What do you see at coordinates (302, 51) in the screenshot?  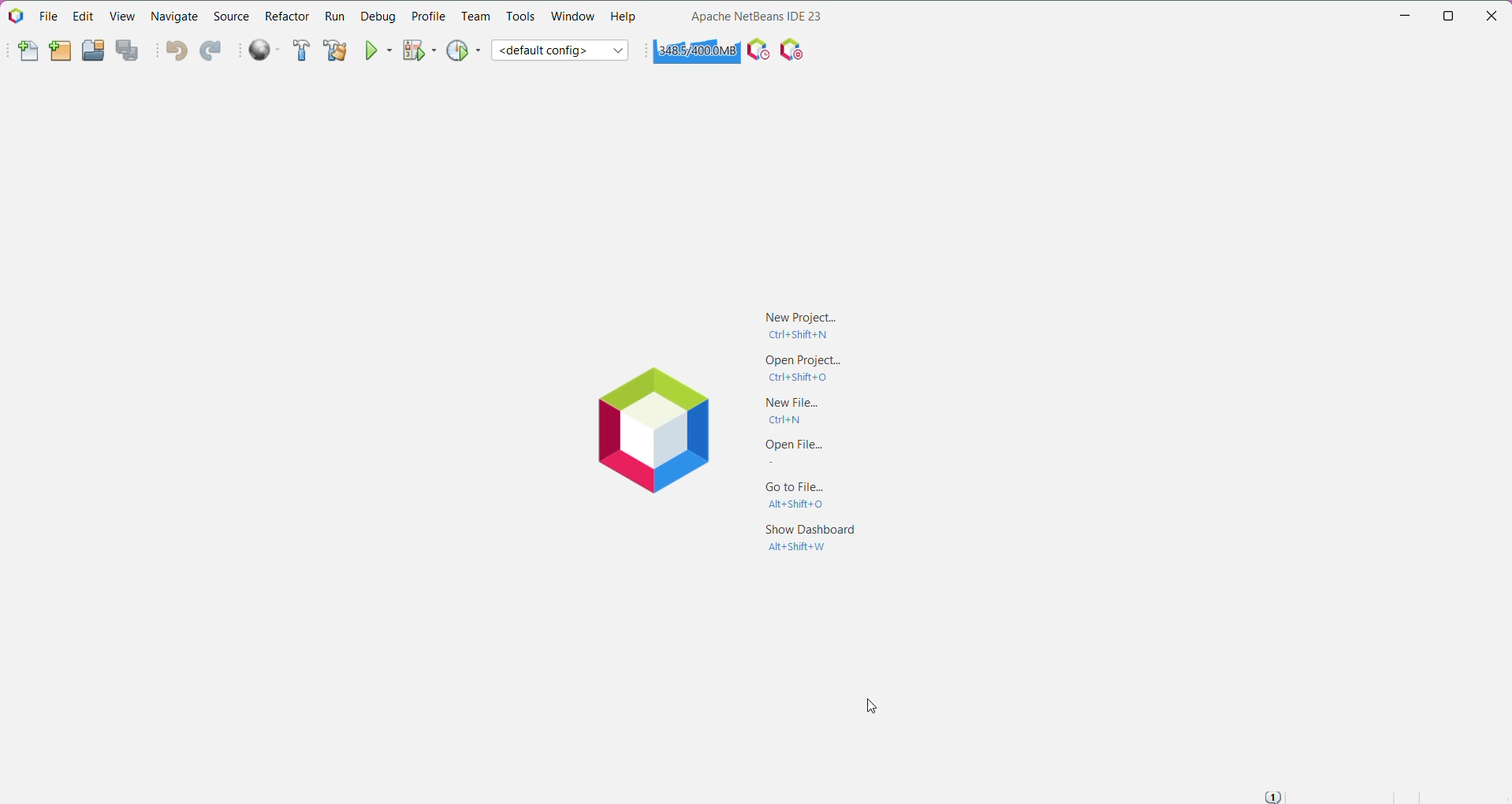 I see `Build Project` at bounding box center [302, 51].